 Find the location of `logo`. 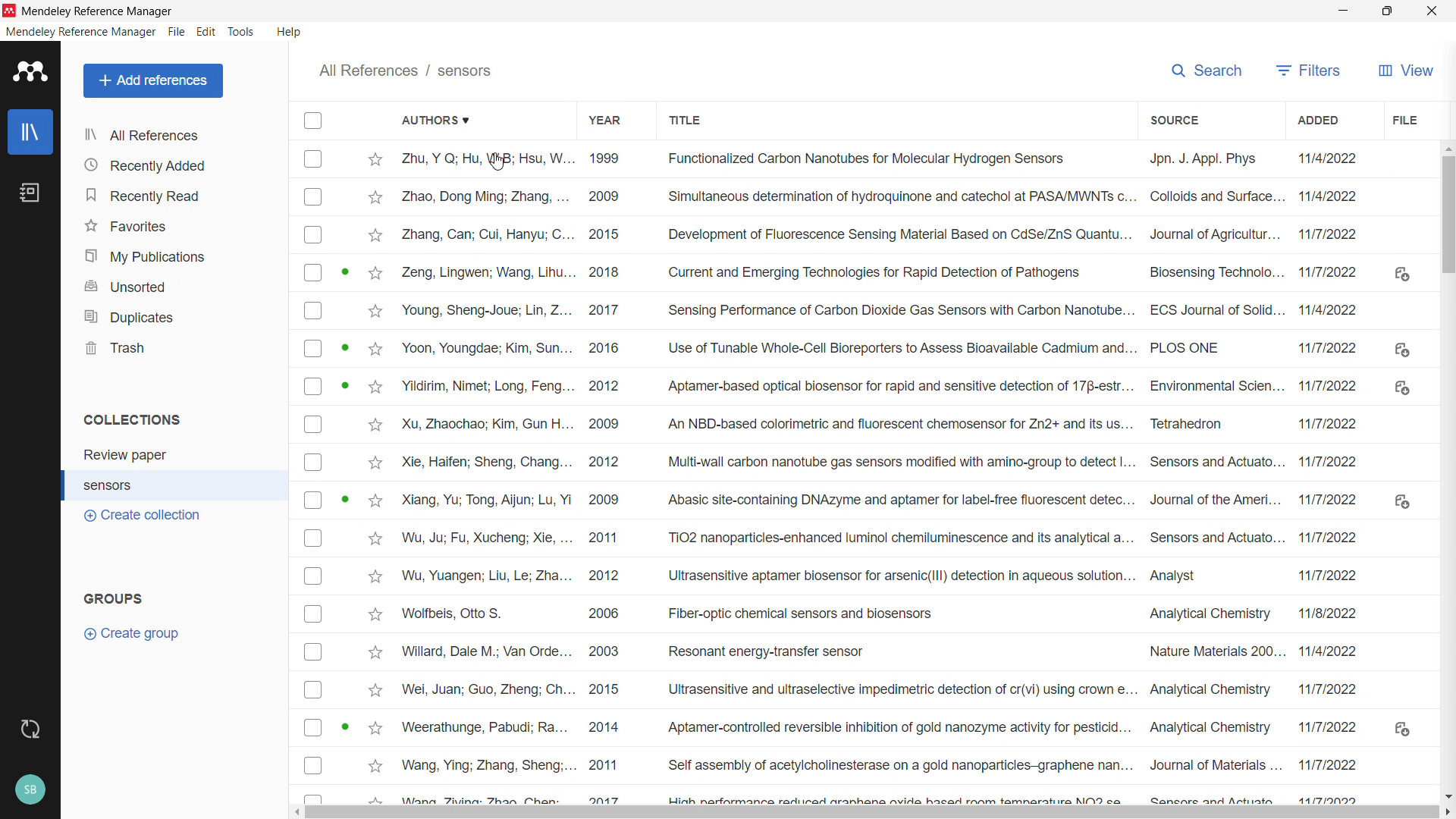

logo is located at coordinates (10, 11).